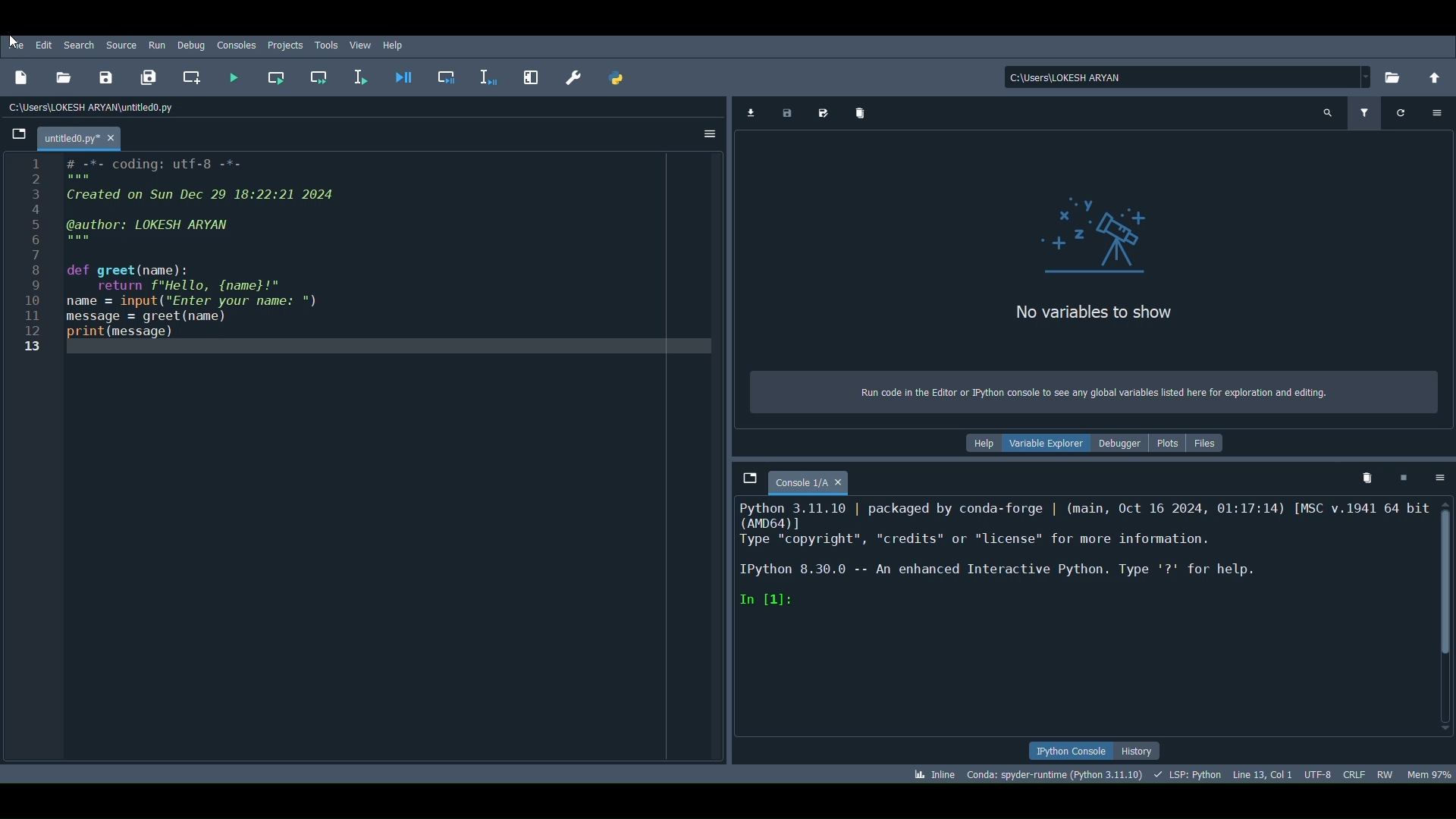 The height and width of the screenshot is (819, 1456). Describe the element at coordinates (1097, 313) in the screenshot. I see `No variables to show` at that location.